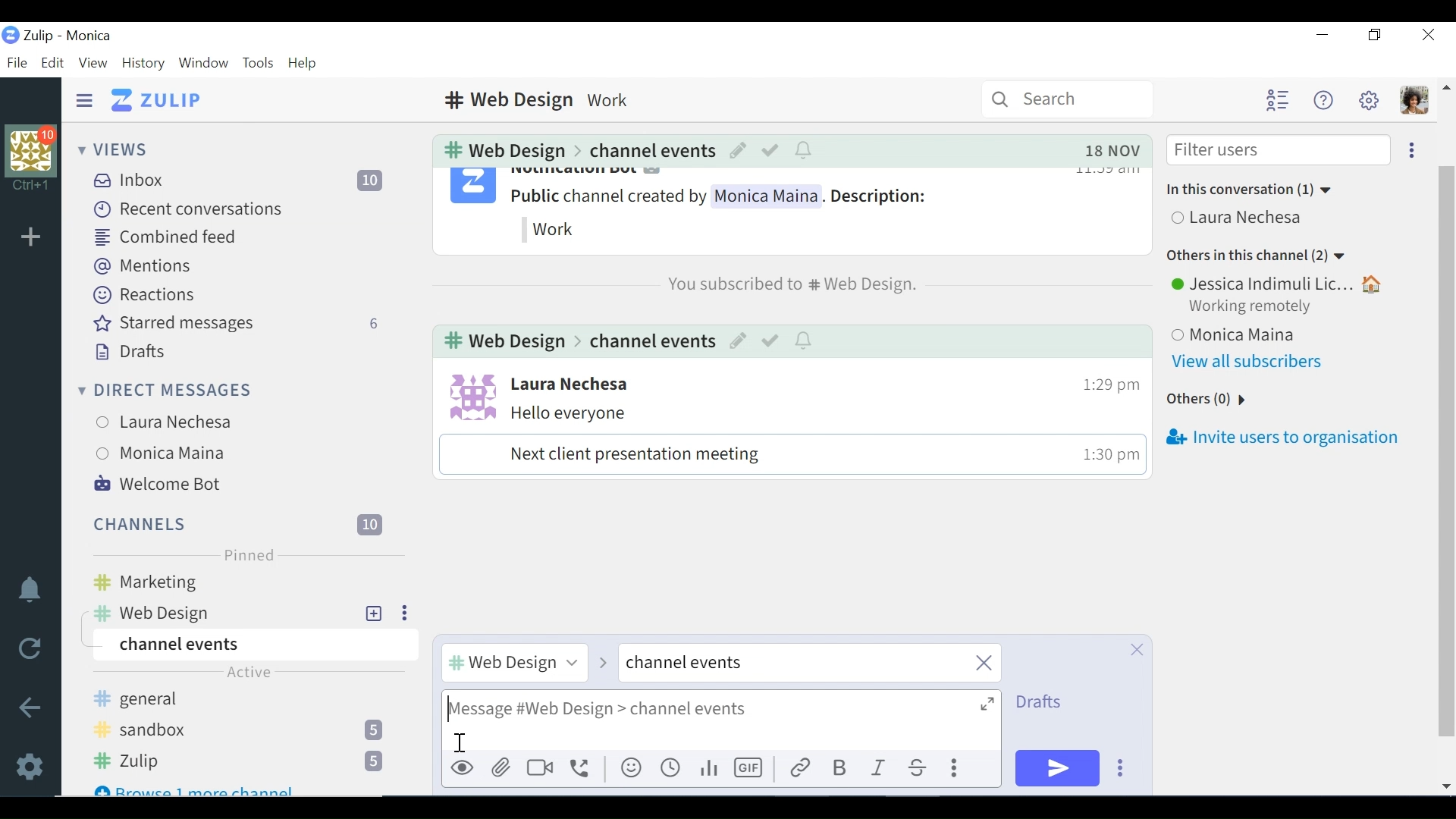 The image size is (1456, 819). What do you see at coordinates (172, 454) in the screenshot?
I see `User` at bounding box center [172, 454].